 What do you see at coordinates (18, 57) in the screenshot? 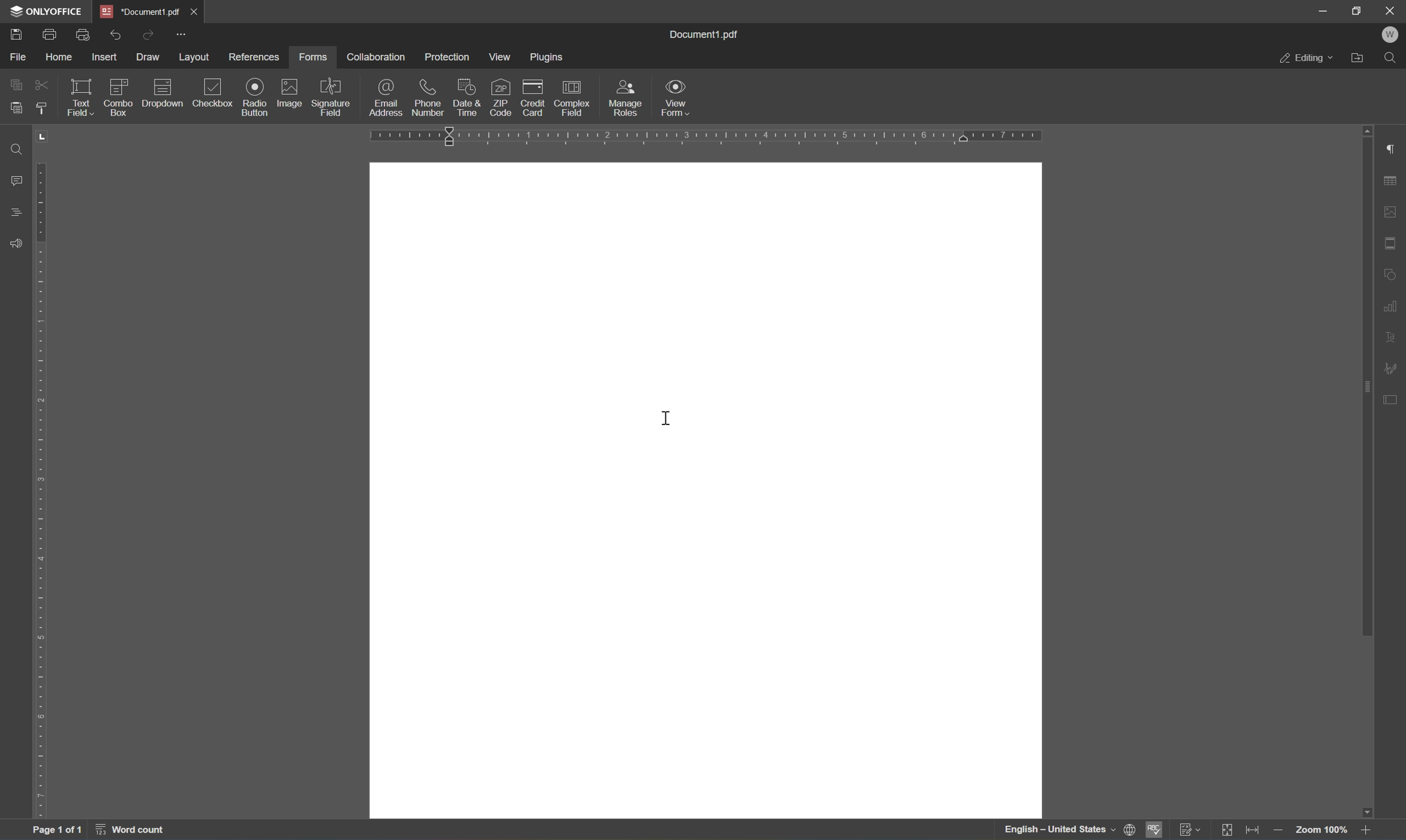
I see `file` at bounding box center [18, 57].